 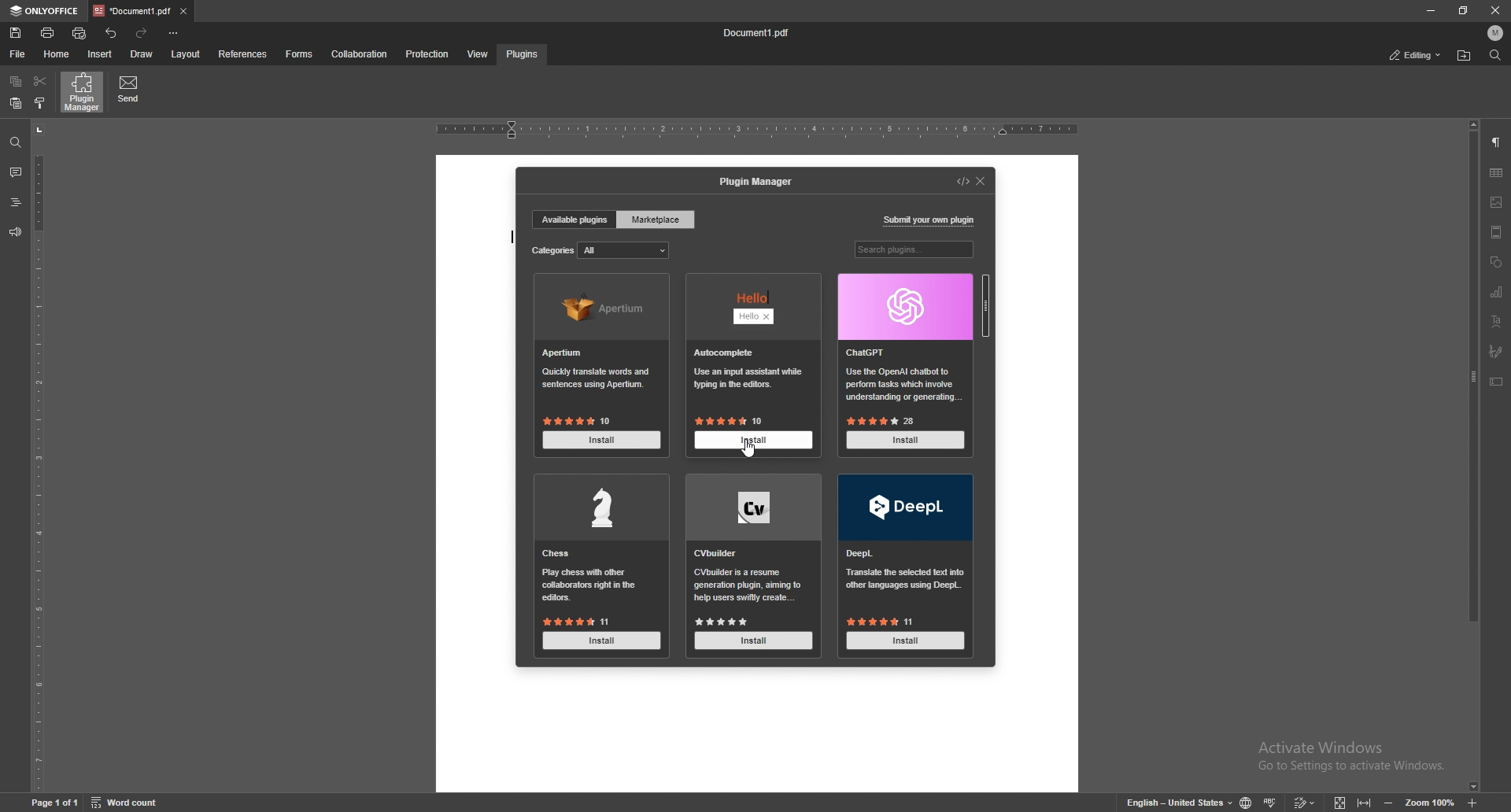 I want to click on paste, so click(x=16, y=104).